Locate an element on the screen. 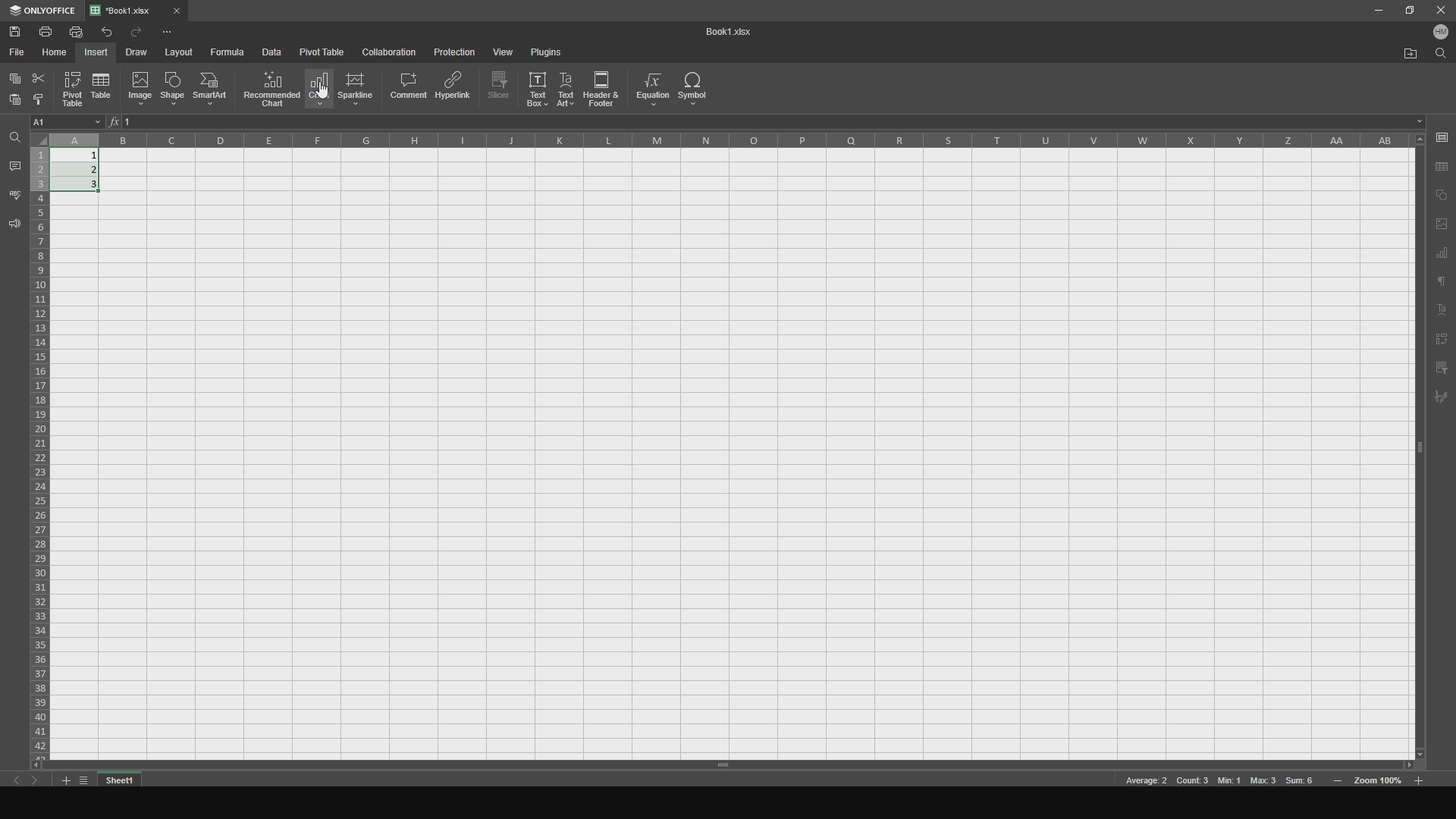 This screenshot has height=819, width=1456. home is located at coordinates (56, 53).